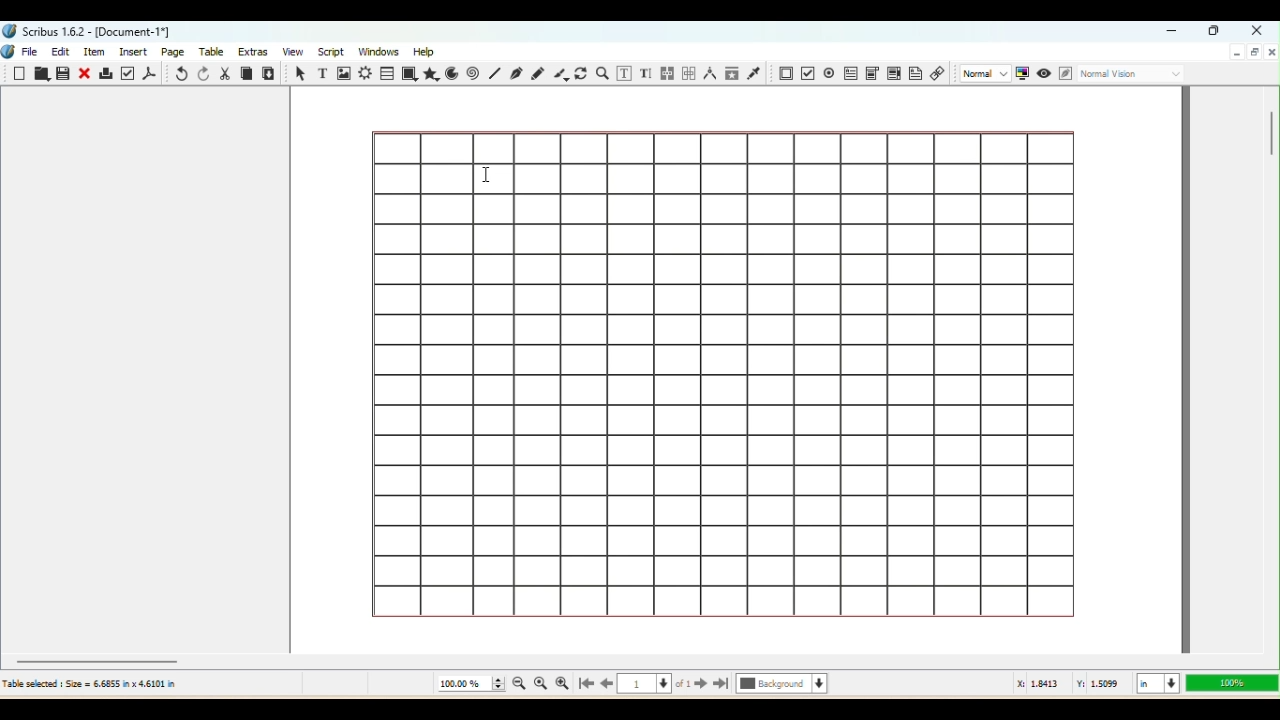 The width and height of the screenshot is (1280, 720). I want to click on Save, so click(65, 75).